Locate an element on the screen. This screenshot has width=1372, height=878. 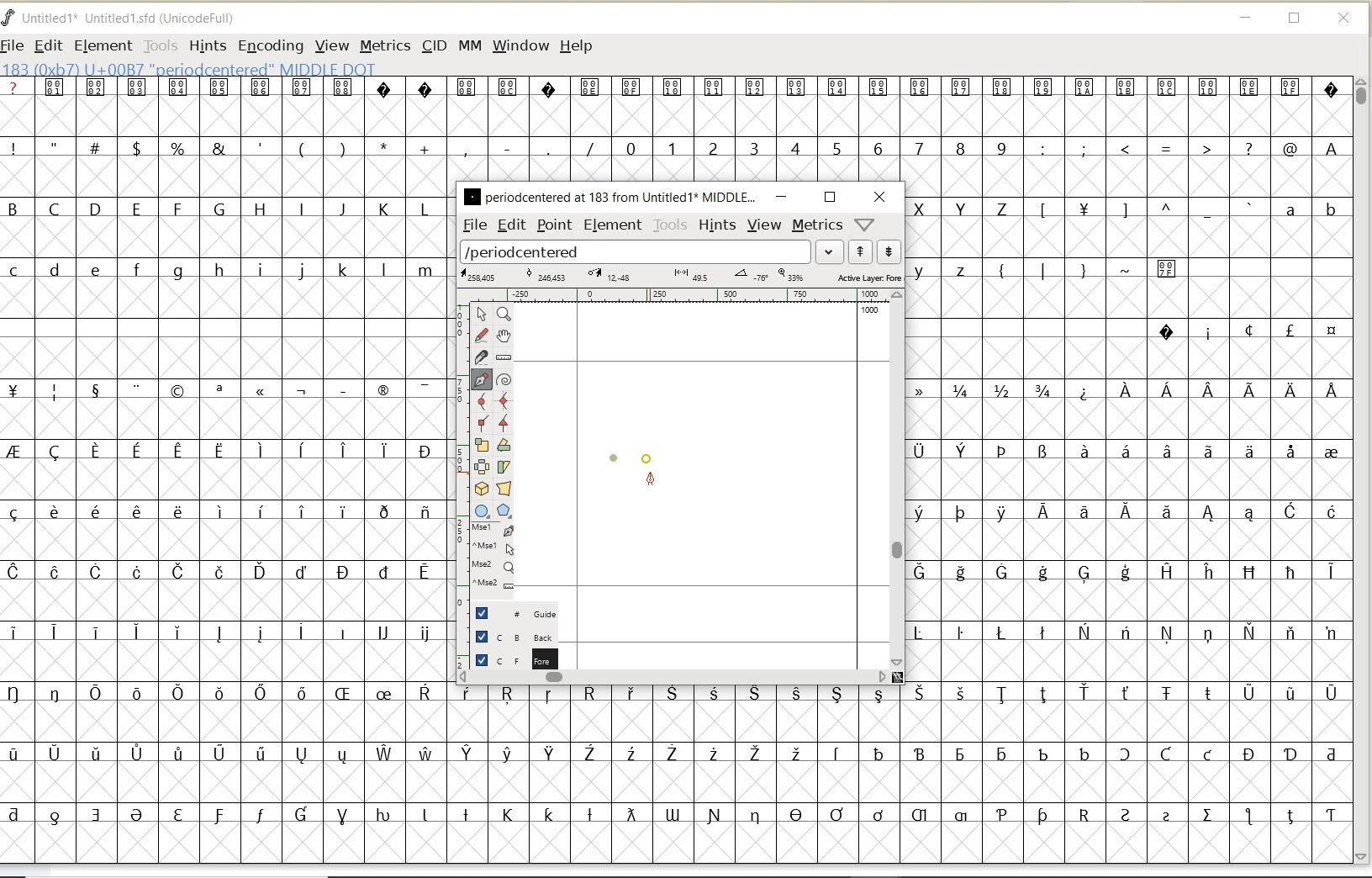
FontForge Logo is located at coordinates (9, 16).